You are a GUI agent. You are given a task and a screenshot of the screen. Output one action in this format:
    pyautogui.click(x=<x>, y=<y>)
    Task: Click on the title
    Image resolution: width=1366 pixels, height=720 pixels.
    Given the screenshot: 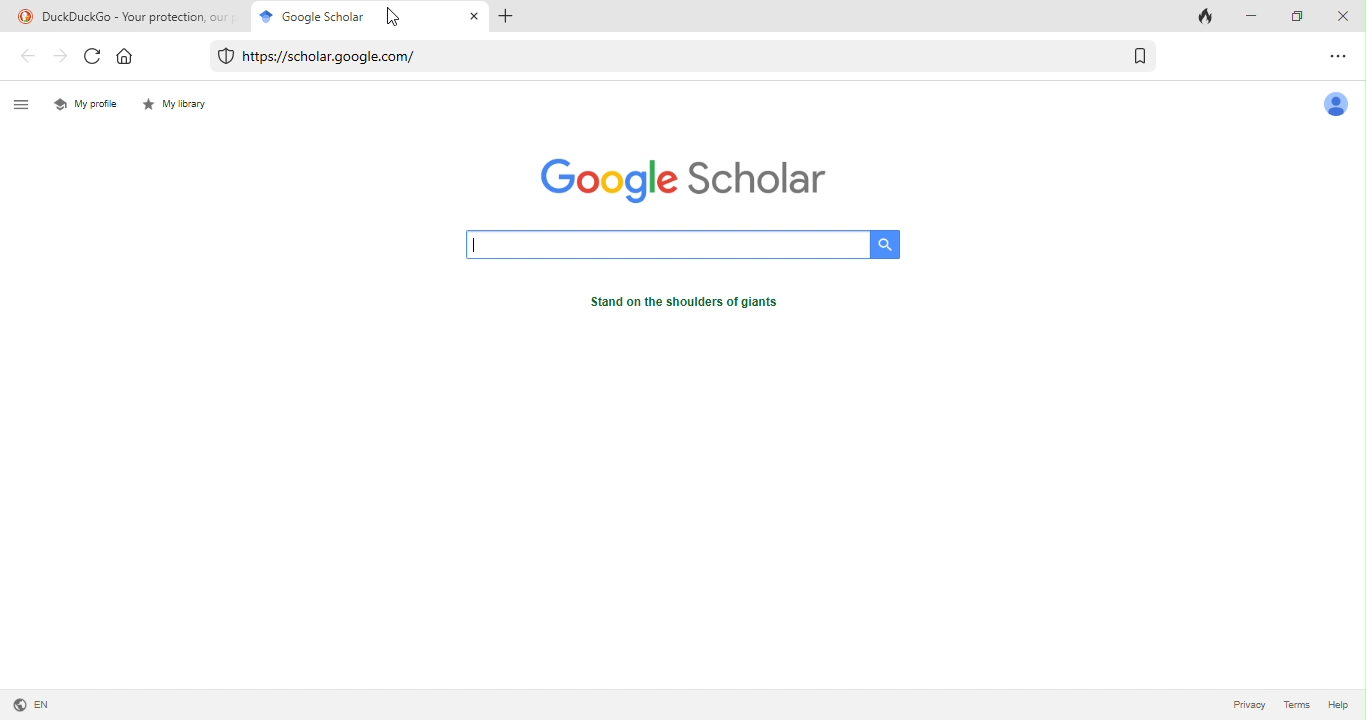 What is the action you would take?
    pyautogui.click(x=124, y=15)
    